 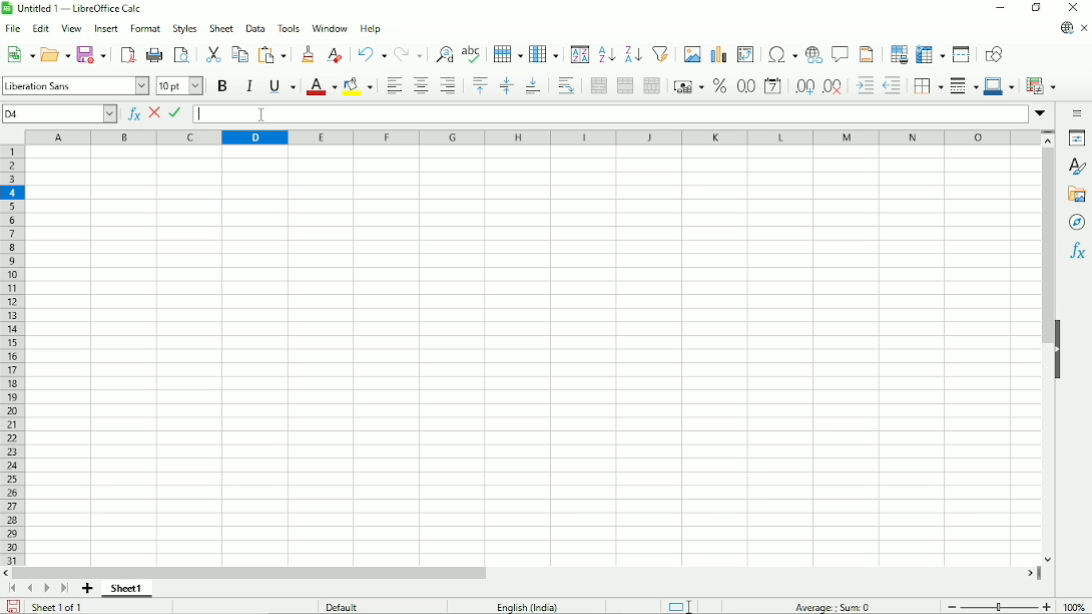 What do you see at coordinates (721, 86) in the screenshot?
I see `Format as percent` at bounding box center [721, 86].